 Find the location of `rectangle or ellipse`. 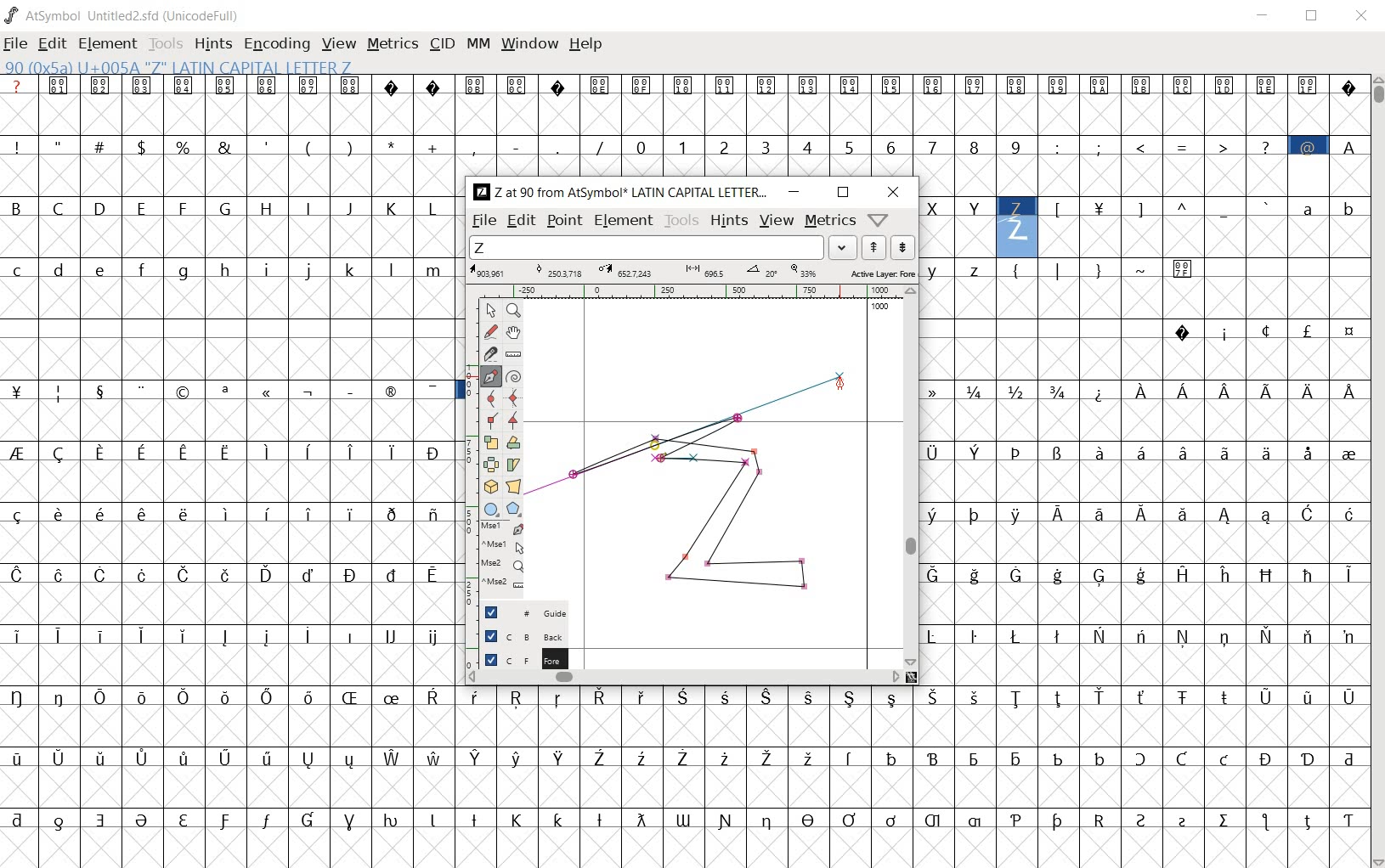

rectangle or ellipse is located at coordinates (491, 509).